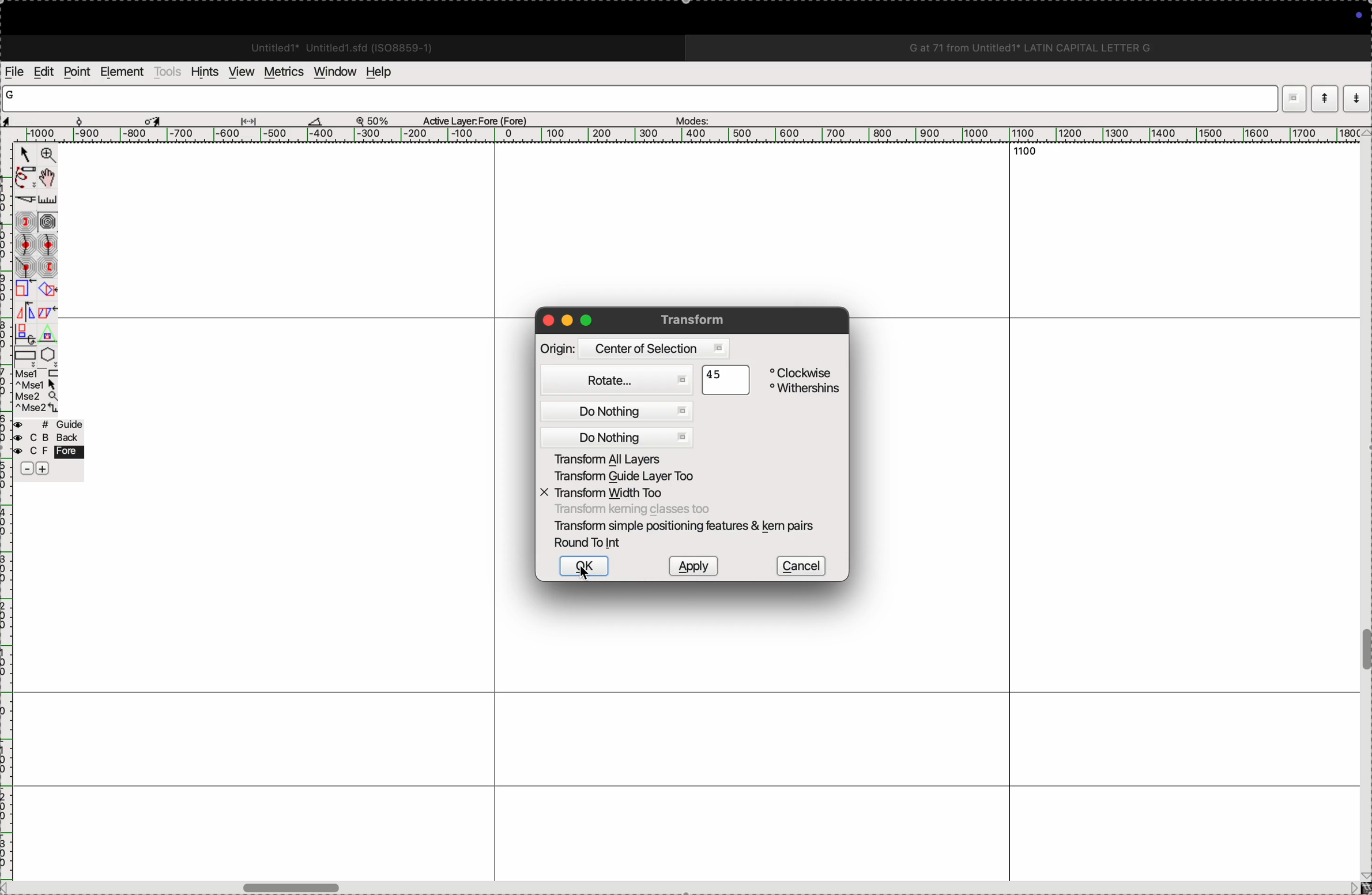 The width and height of the screenshot is (1372, 895). I want to click on previous constraint point, so click(48, 267).